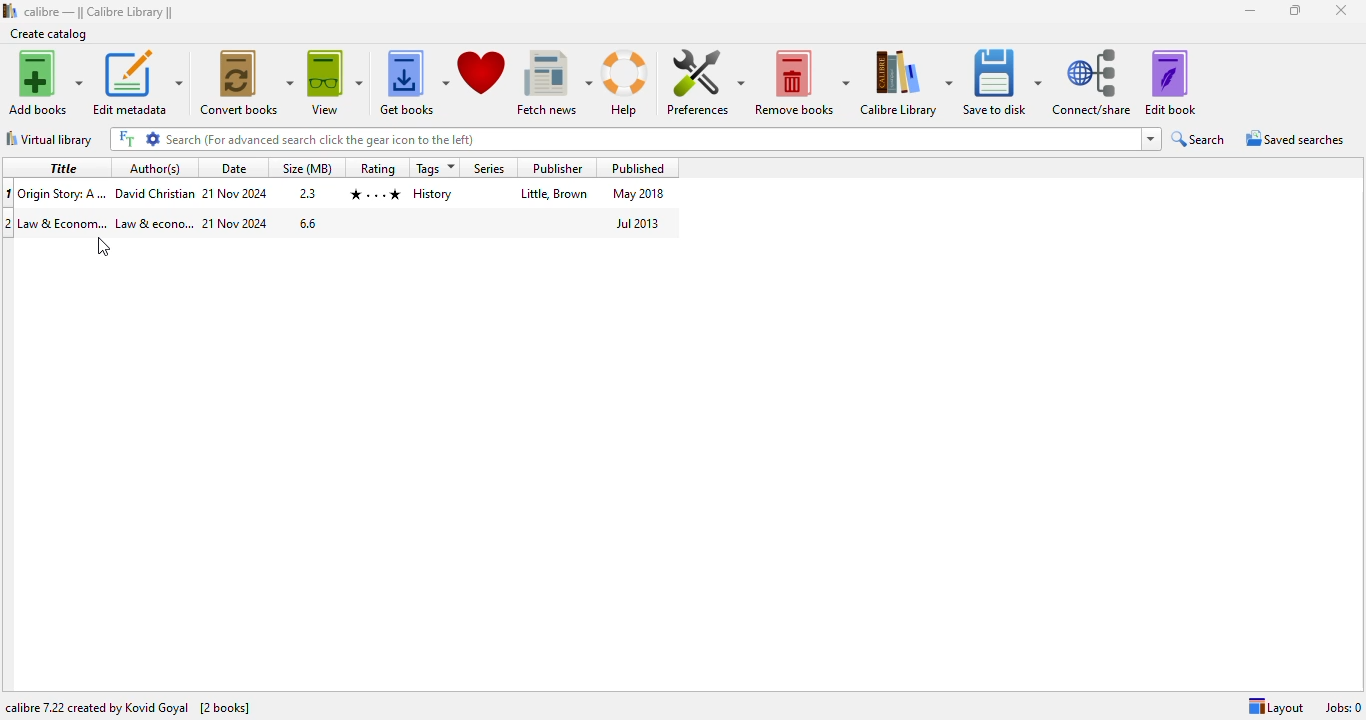 This screenshot has height=720, width=1366. Describe the element at coordinates (233, 168) in the screenshot. I see `date` at that location.